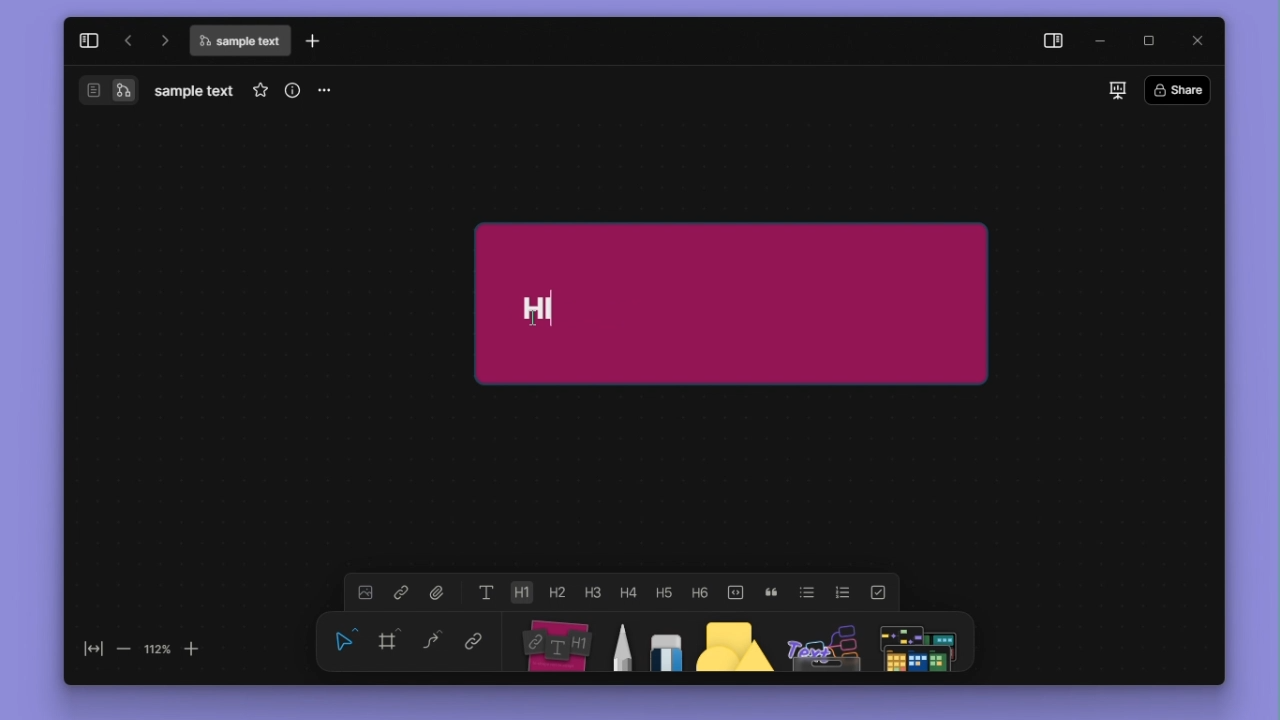 The image size is (1280, 720). What do you see at coordinates (1054, 42) in the screenshot?
I see `side panel` at bounding box center [1054, 42].